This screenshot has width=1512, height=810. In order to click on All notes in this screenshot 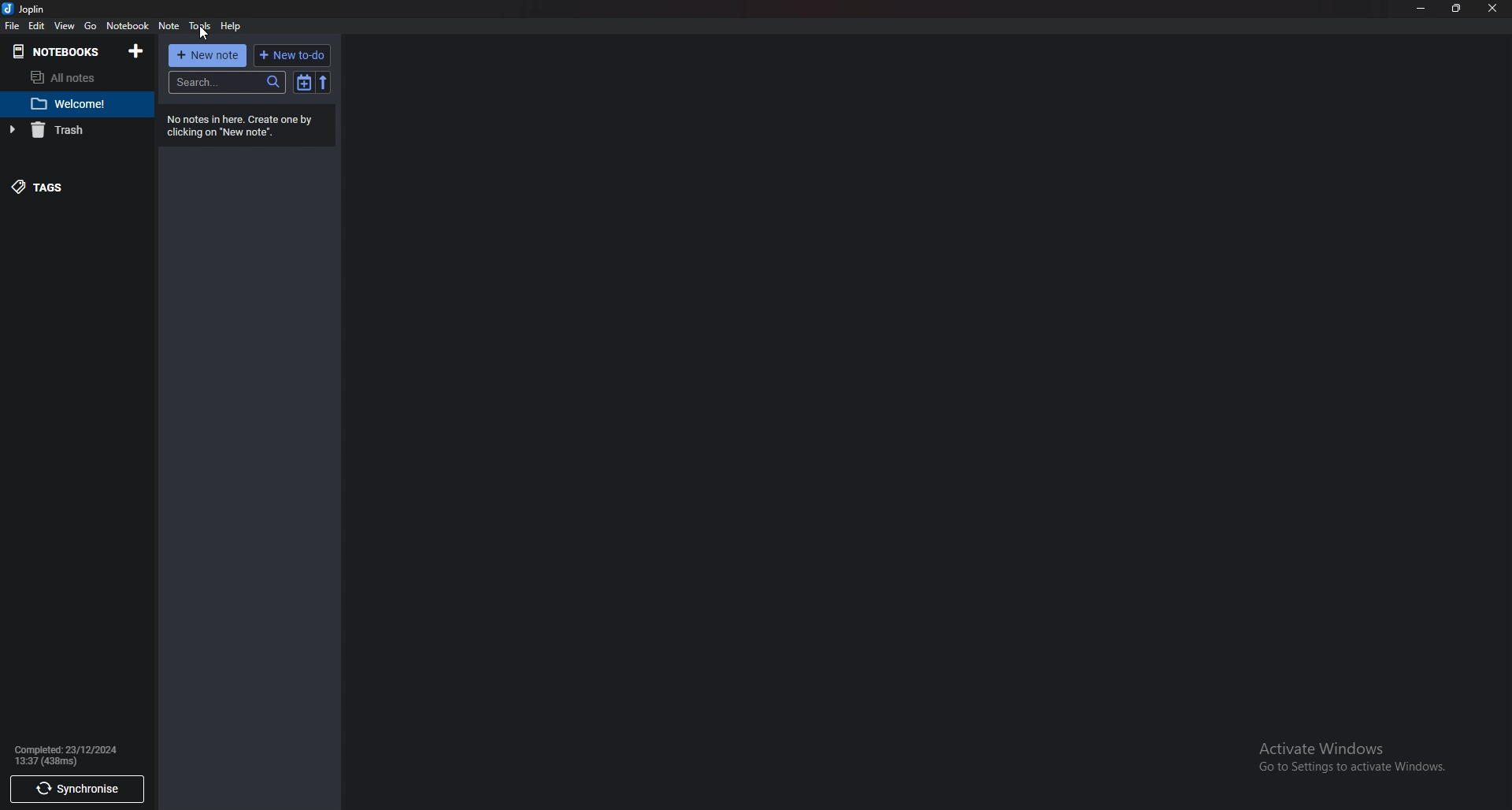, I will do `click(77, 76)`.